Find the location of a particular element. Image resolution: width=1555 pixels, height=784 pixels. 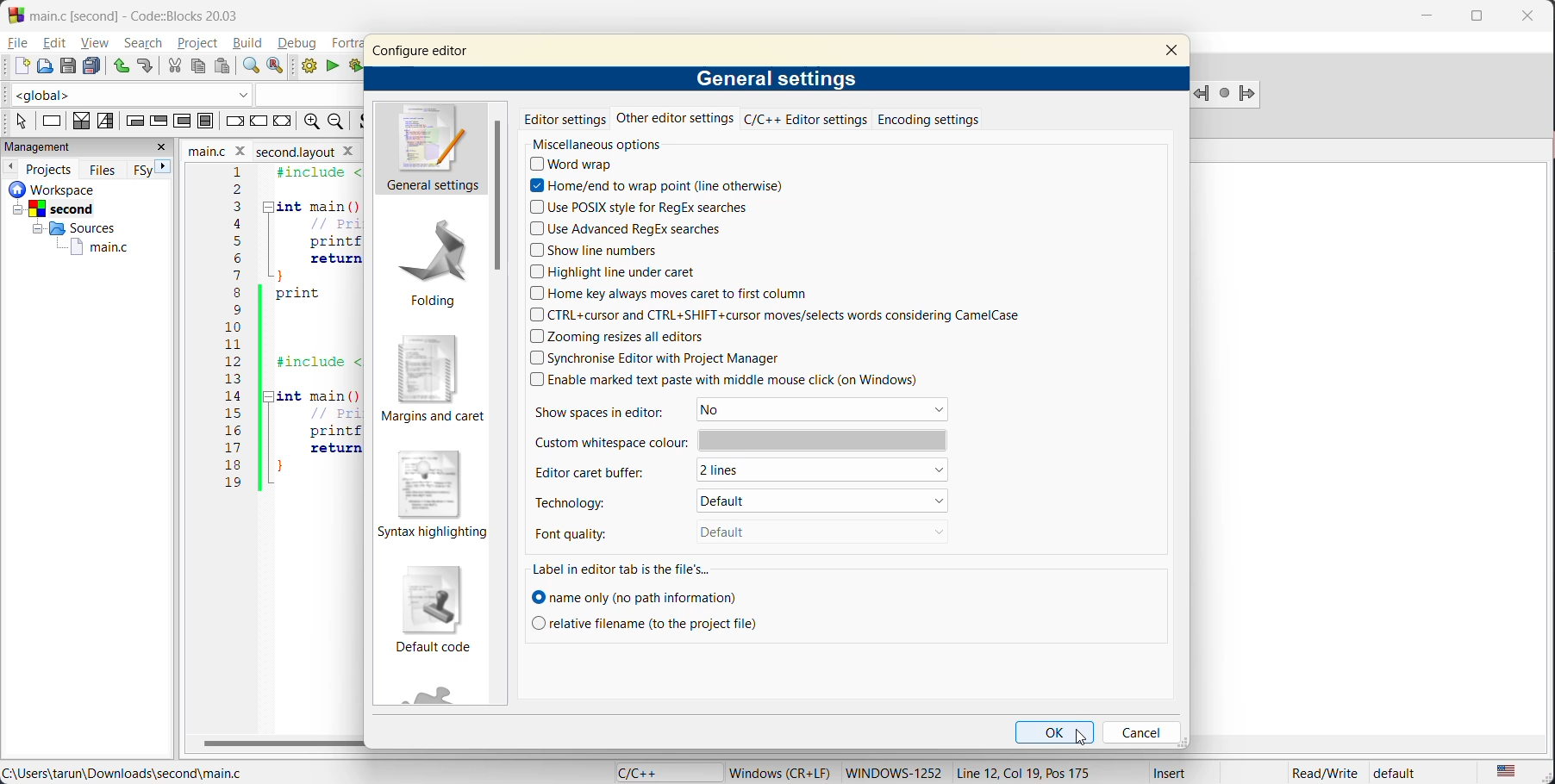

synchronize editor is located at coordinates (653, 357).